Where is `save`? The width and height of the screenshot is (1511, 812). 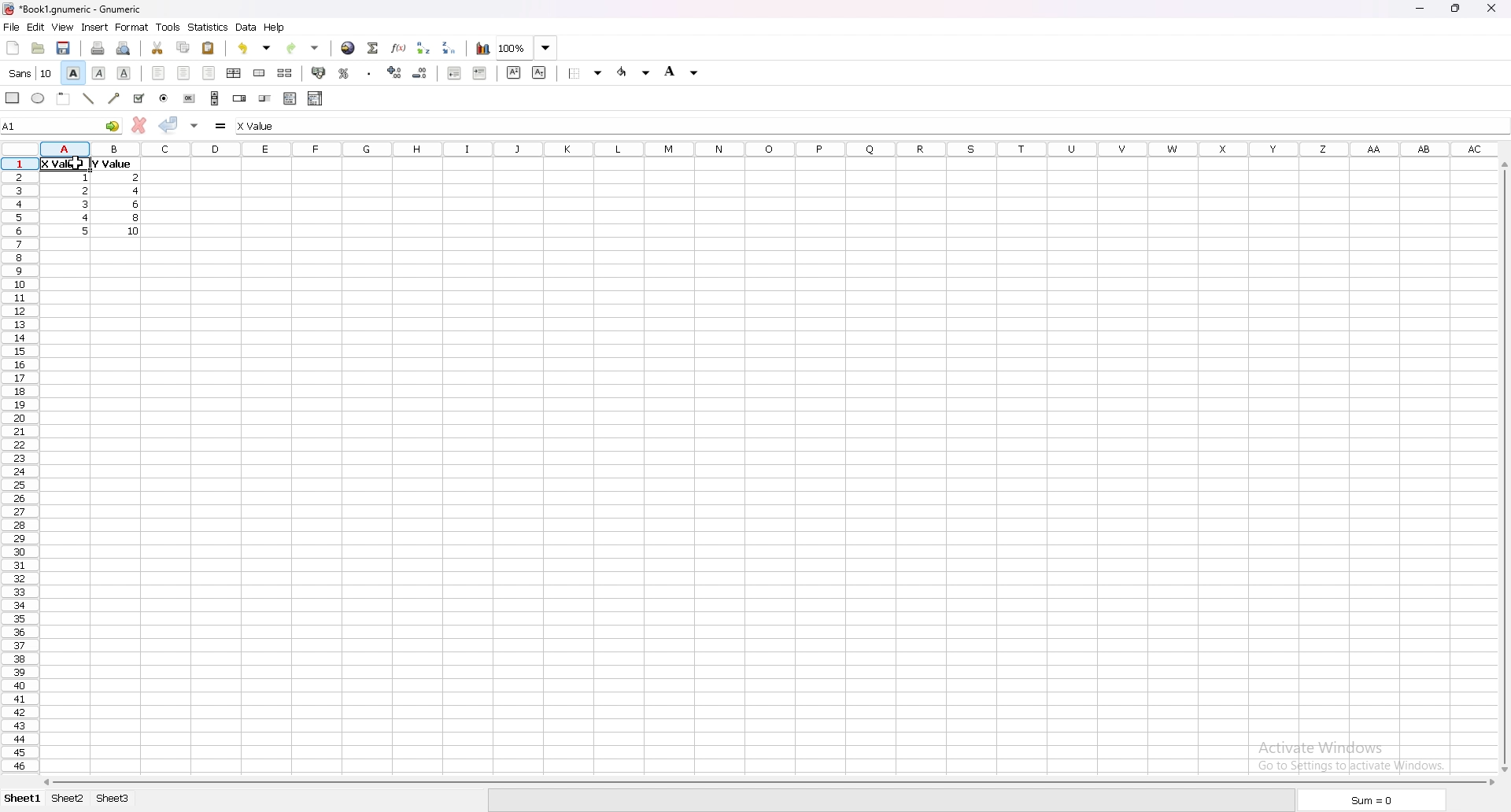 save is located at coordinates (63, 48).